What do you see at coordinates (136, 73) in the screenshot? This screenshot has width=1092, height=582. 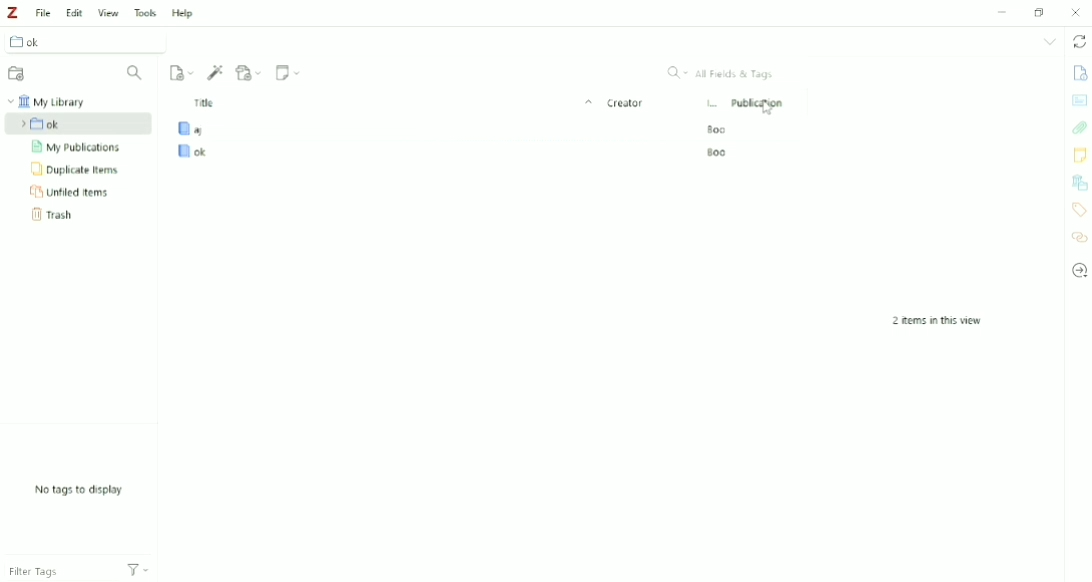 I see `Filter Collections` at bounding box center [136, 73].